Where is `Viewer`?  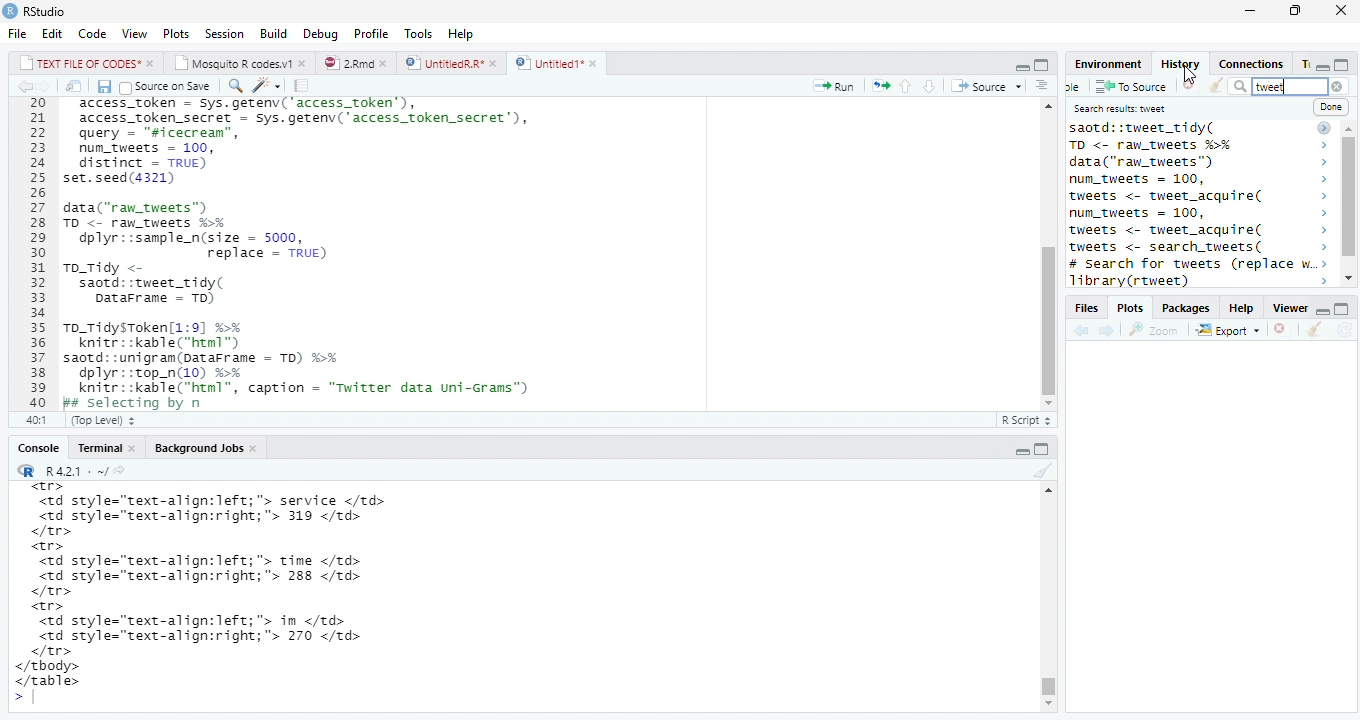
Viewer is located at coordinates (1287, 307).